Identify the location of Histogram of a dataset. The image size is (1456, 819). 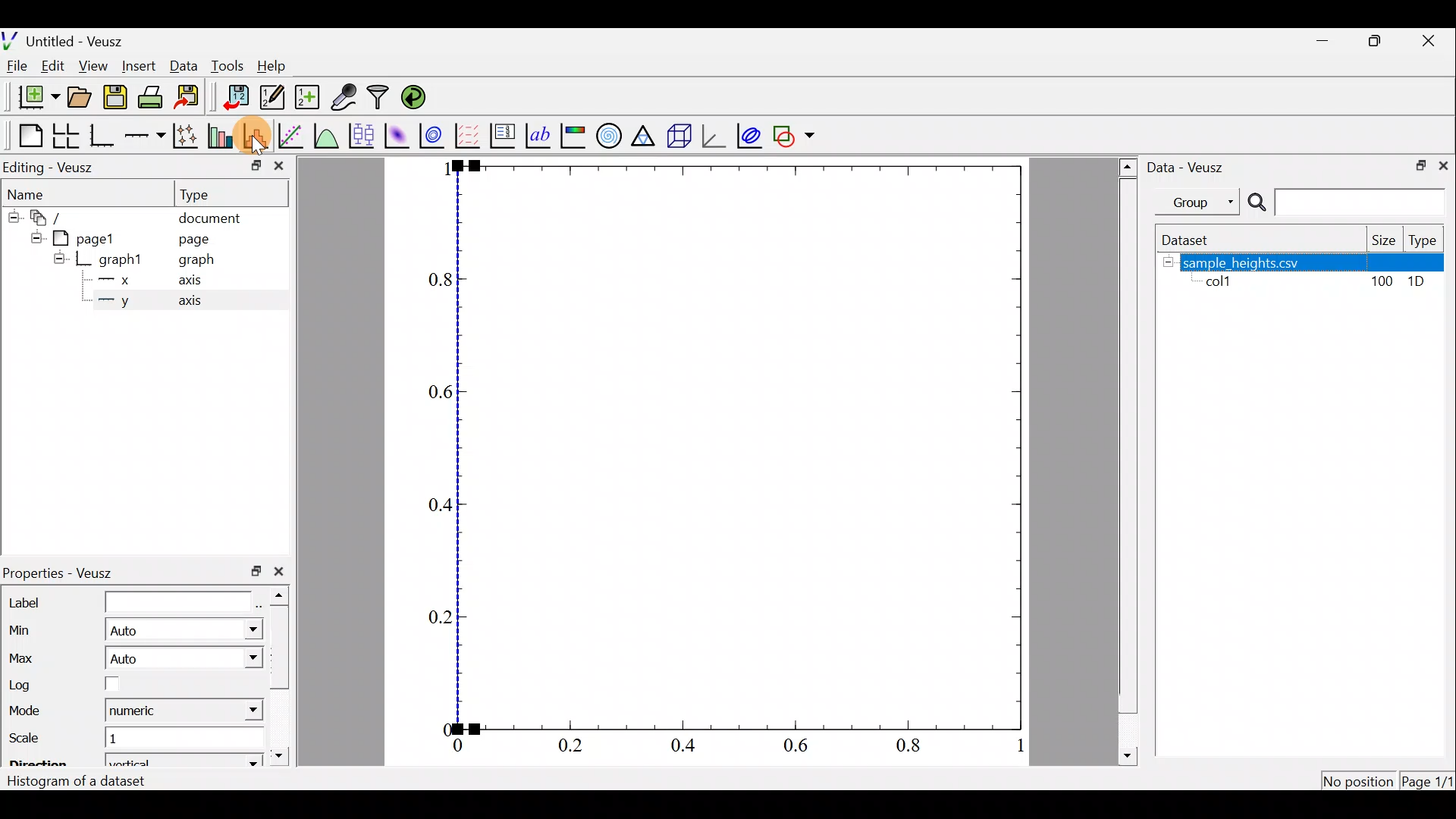
(80, 783).